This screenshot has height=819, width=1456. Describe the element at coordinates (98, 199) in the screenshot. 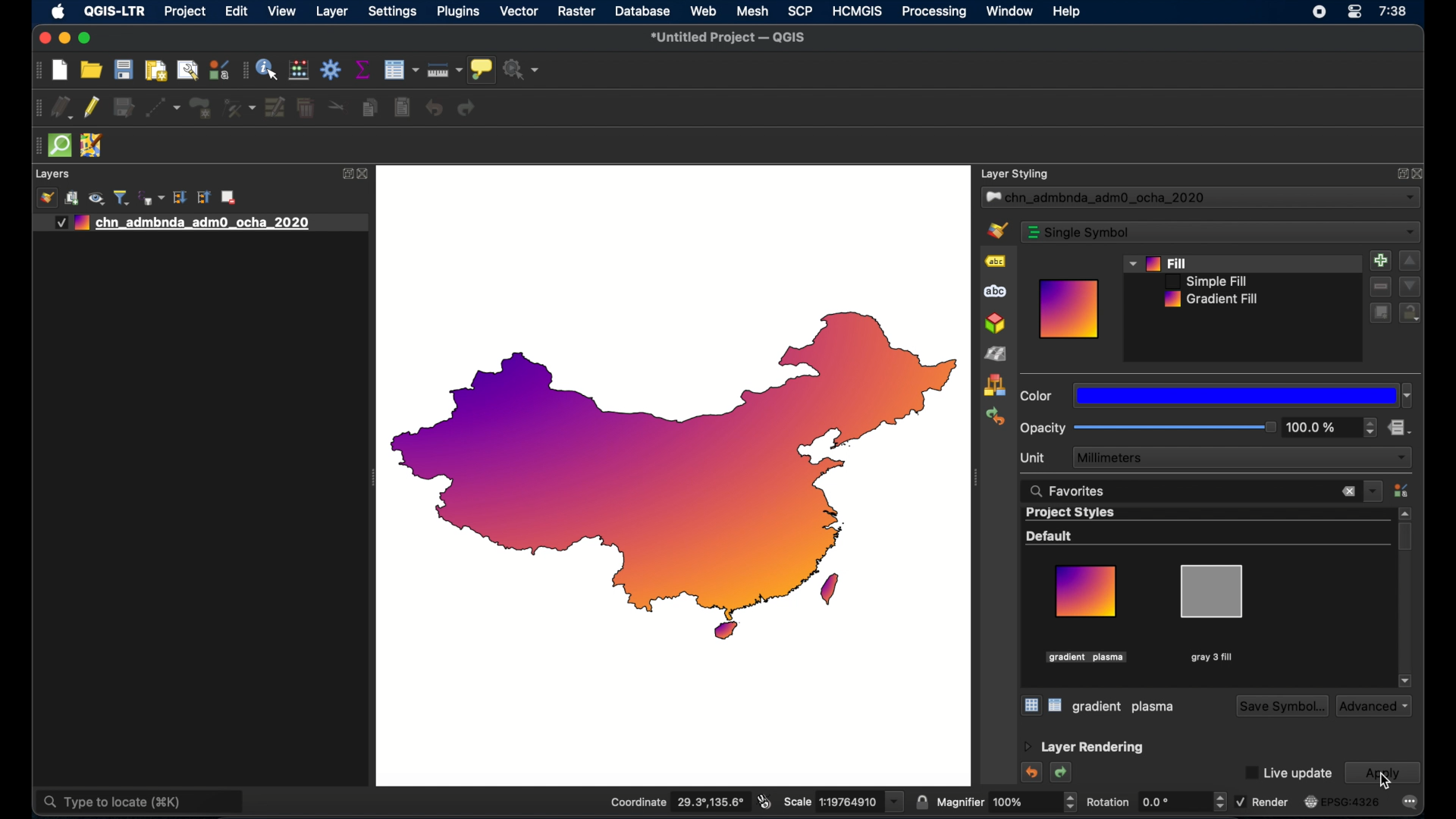

I see `show map theme` at that location.